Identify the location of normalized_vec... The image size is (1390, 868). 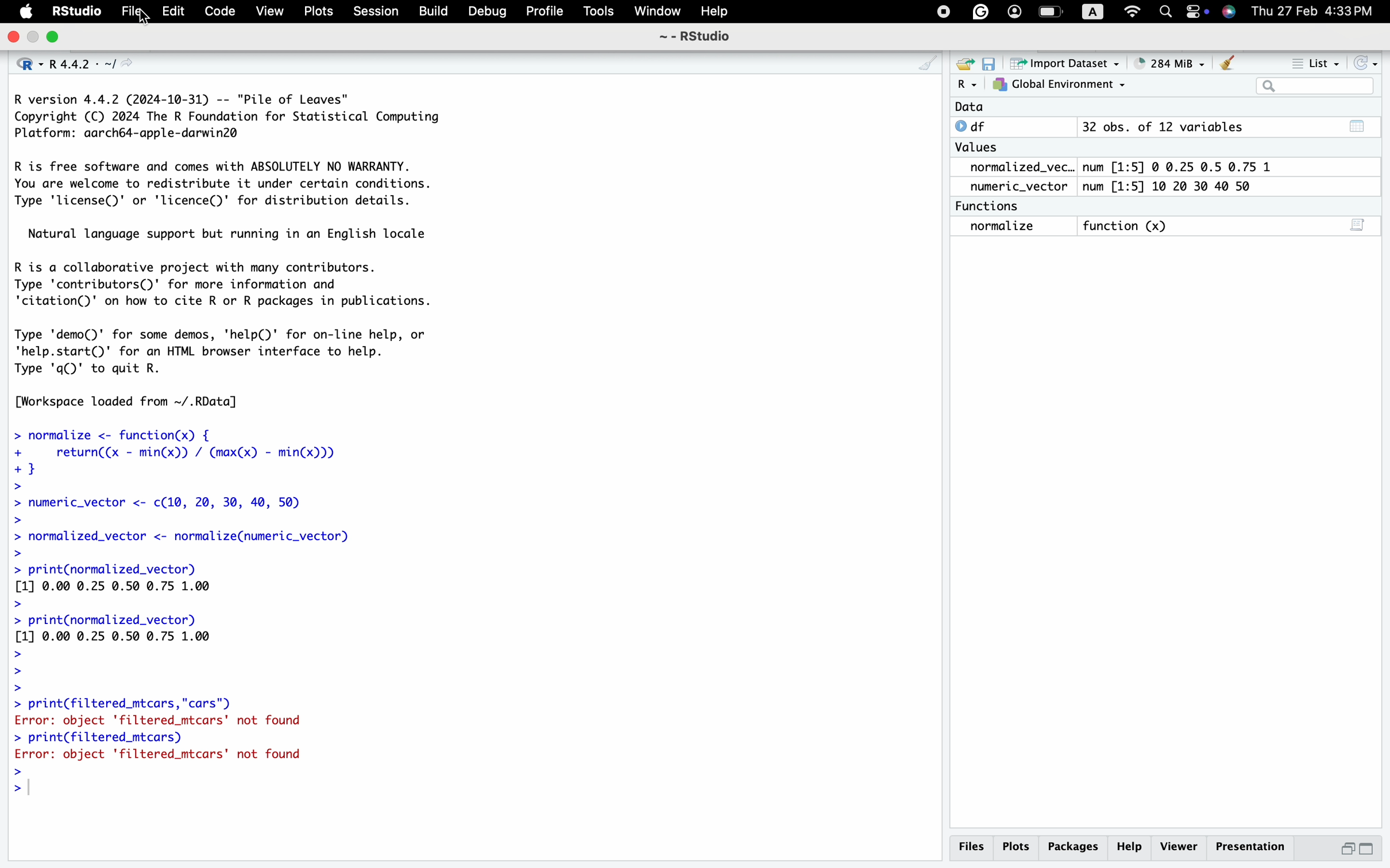
(1017, 168).